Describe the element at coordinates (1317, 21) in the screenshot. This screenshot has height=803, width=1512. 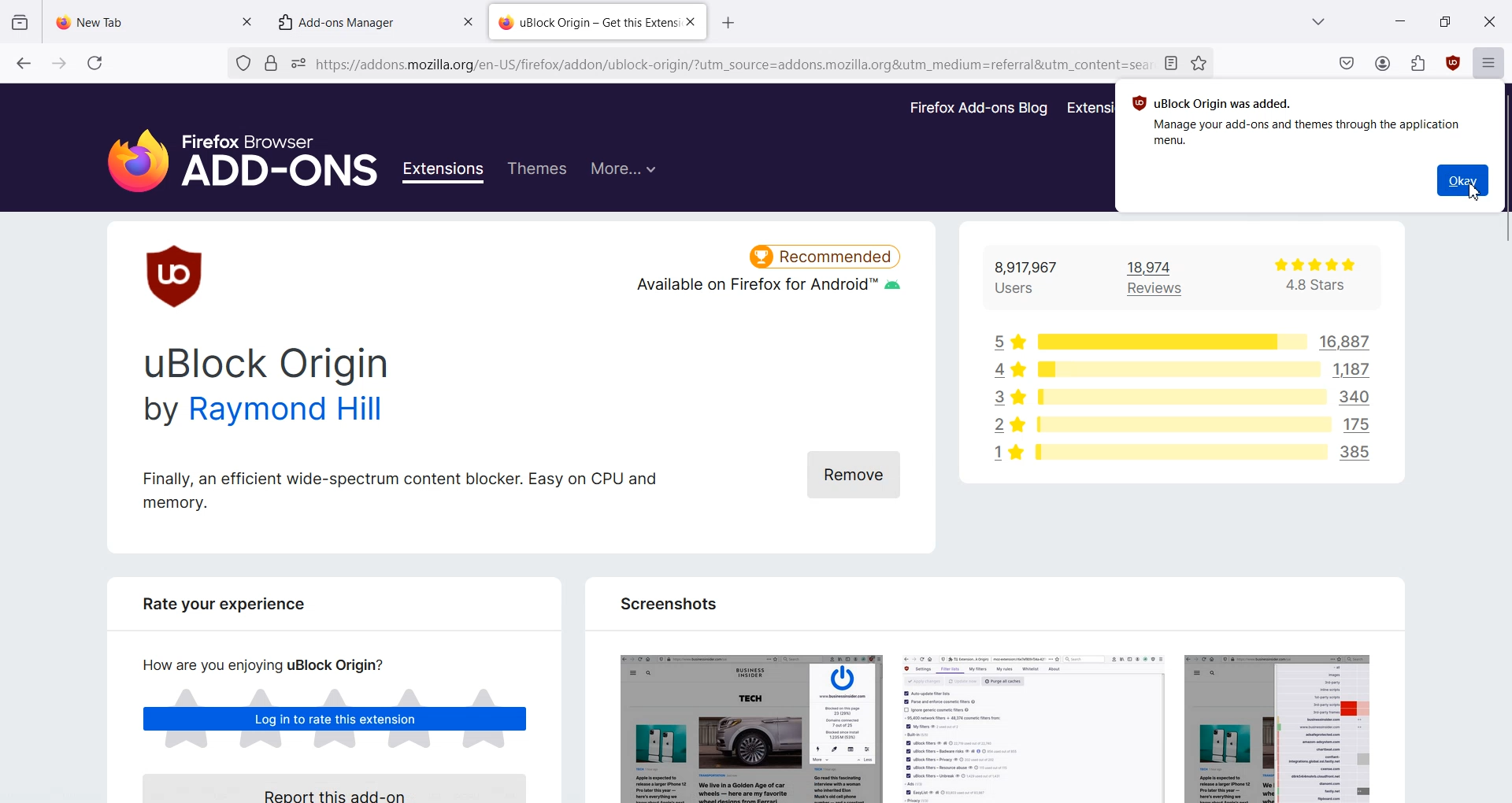
I see `List all Tab` at that location.